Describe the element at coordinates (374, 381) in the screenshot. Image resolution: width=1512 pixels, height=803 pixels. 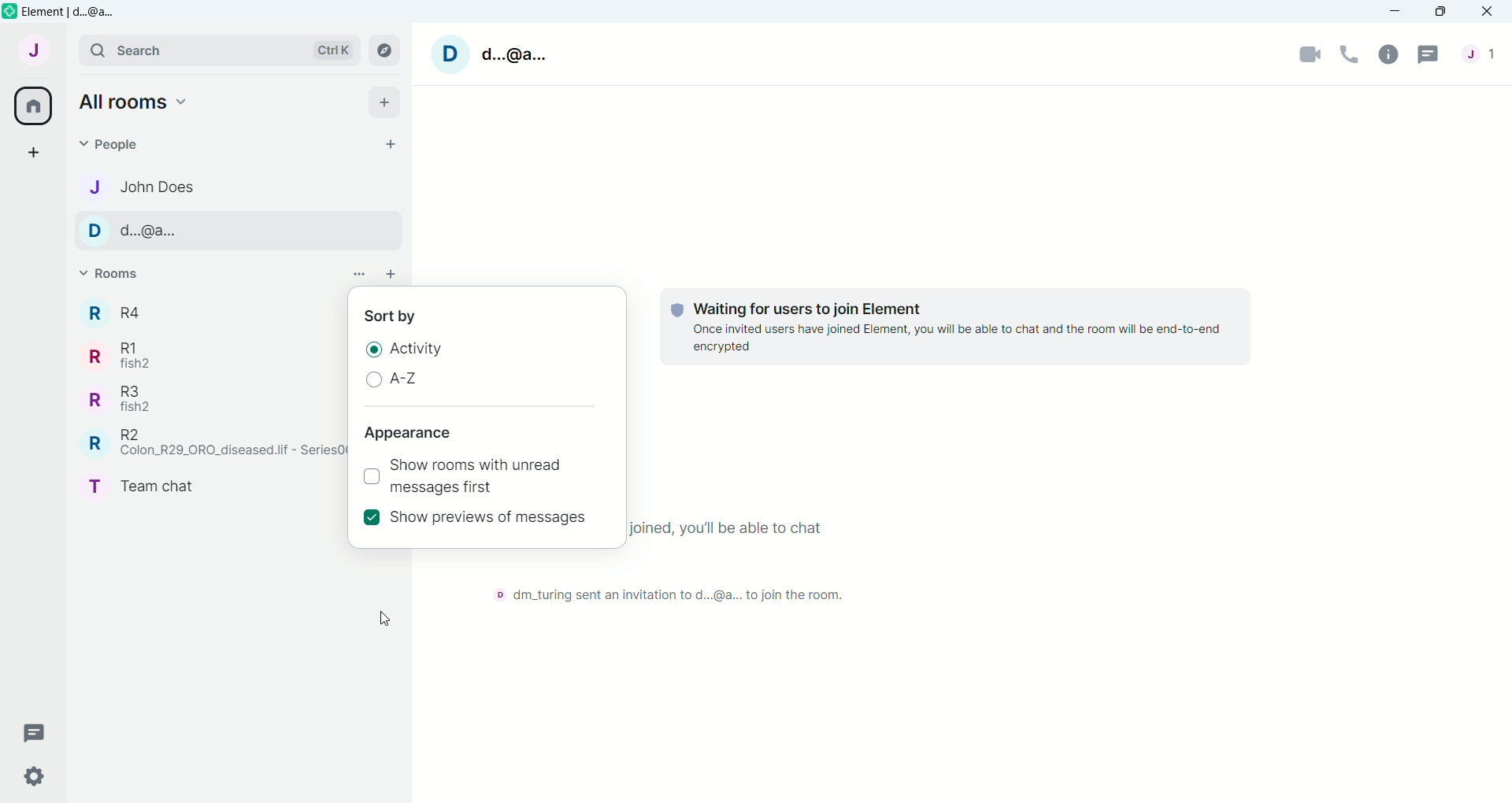
I see `Radio Button` at that location.